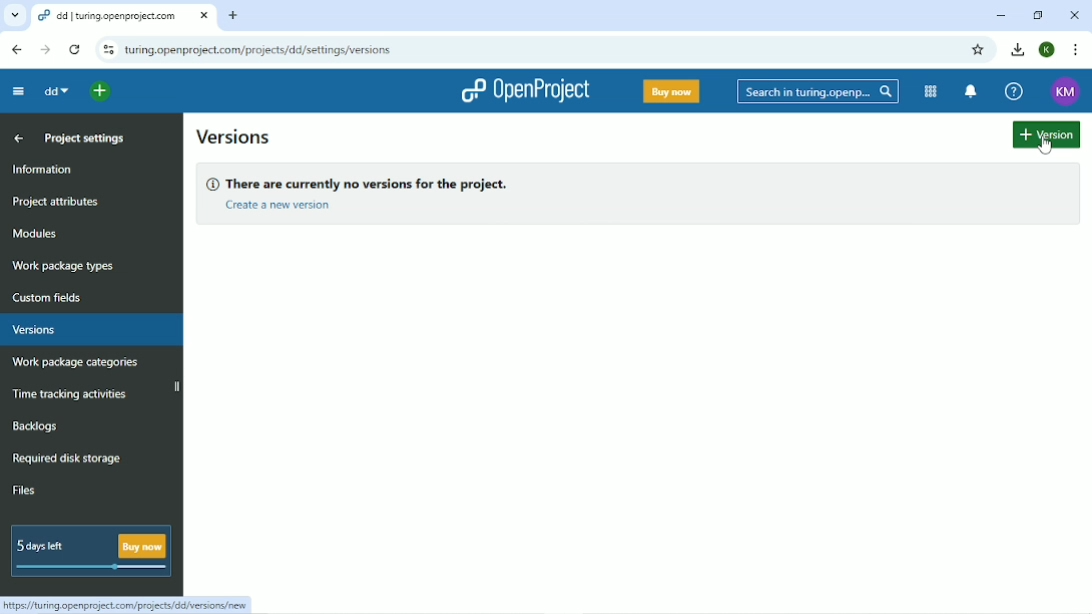 The width and height of the screenshot is (1092, 614). Describe the element at coordinates (14, 14) in the screenshot. I see `Search tabs` at that location.